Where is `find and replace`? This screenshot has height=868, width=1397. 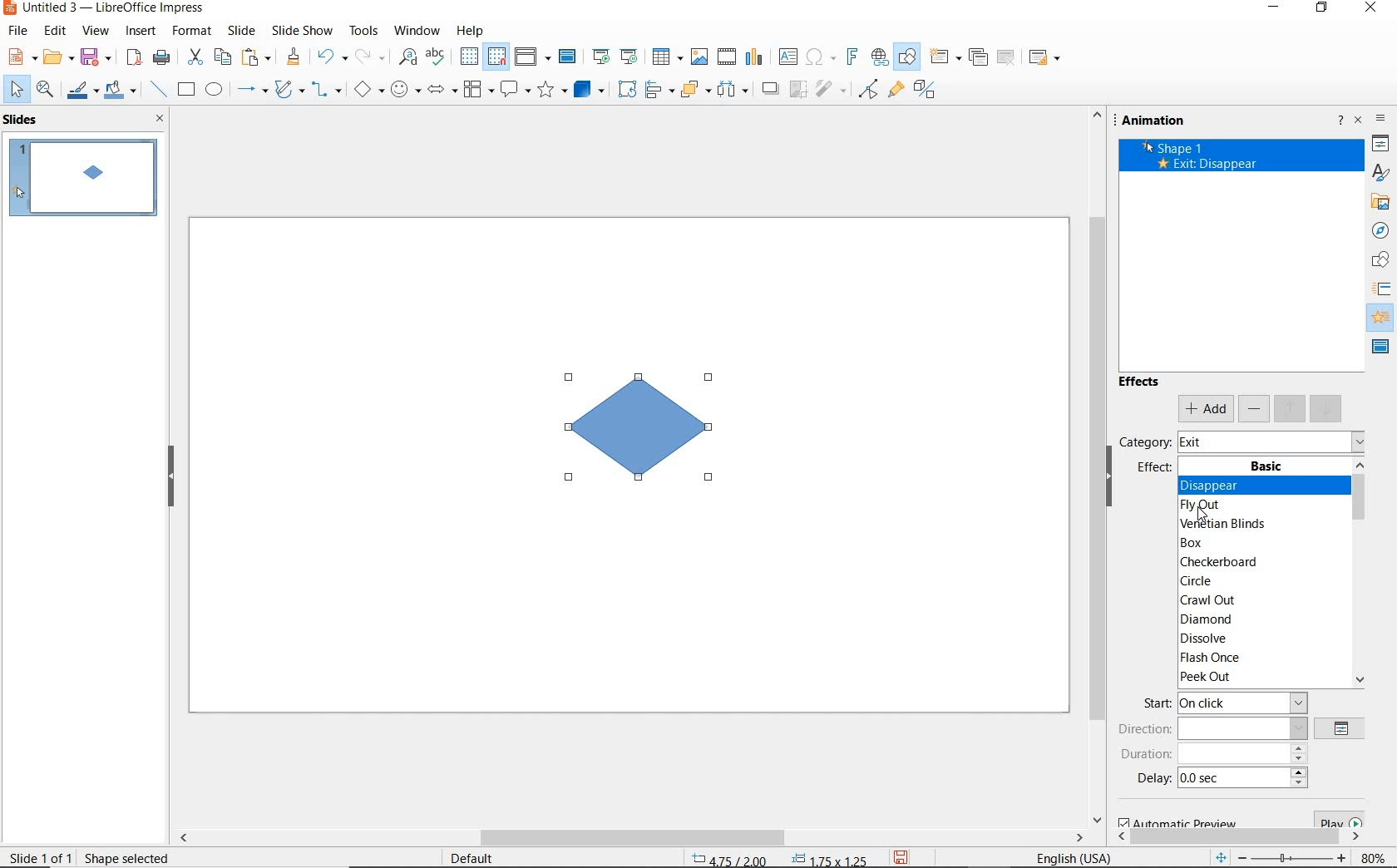 find and replace is located at coordinates (408, 57).